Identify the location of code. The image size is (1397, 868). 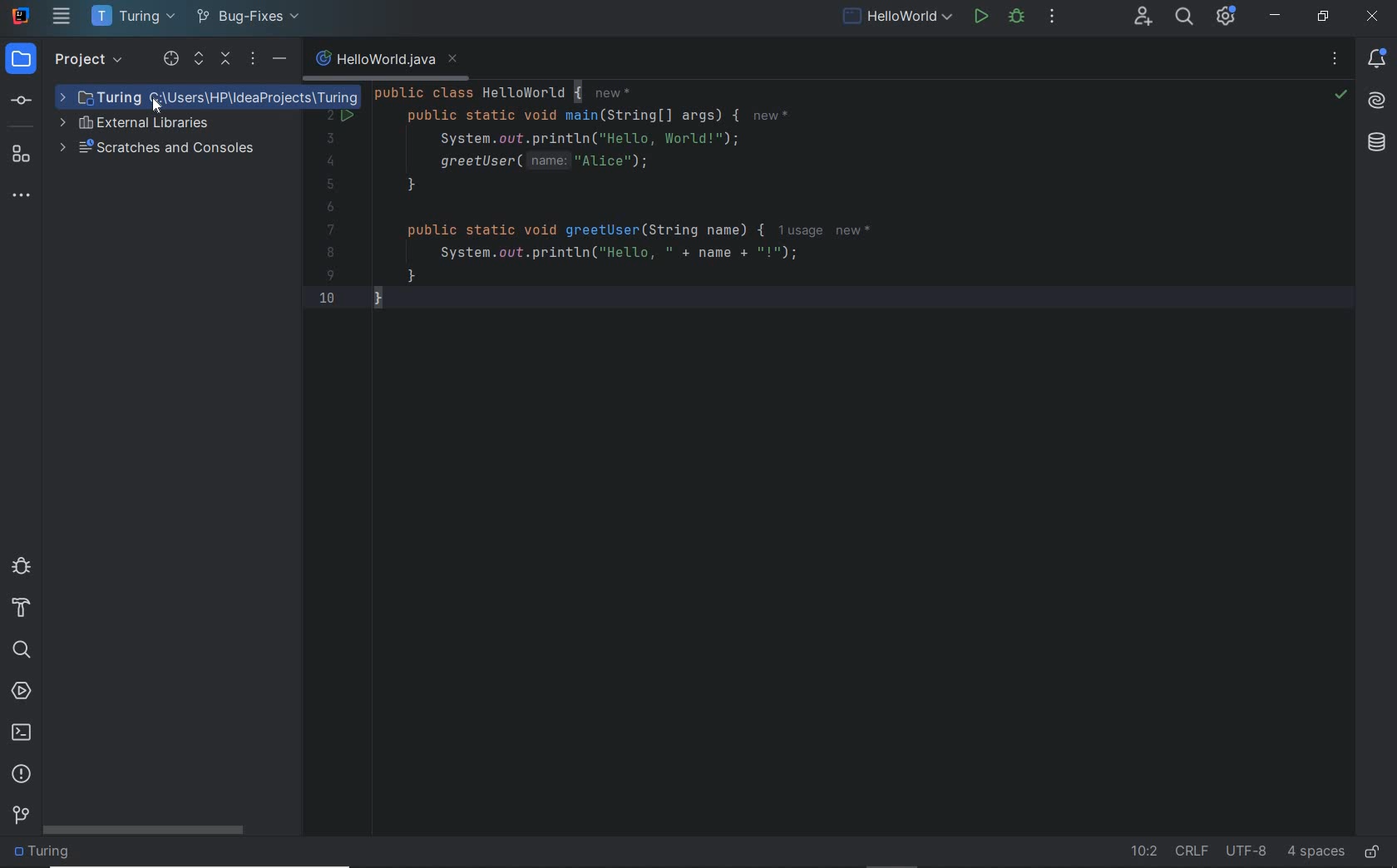
(702, 195).